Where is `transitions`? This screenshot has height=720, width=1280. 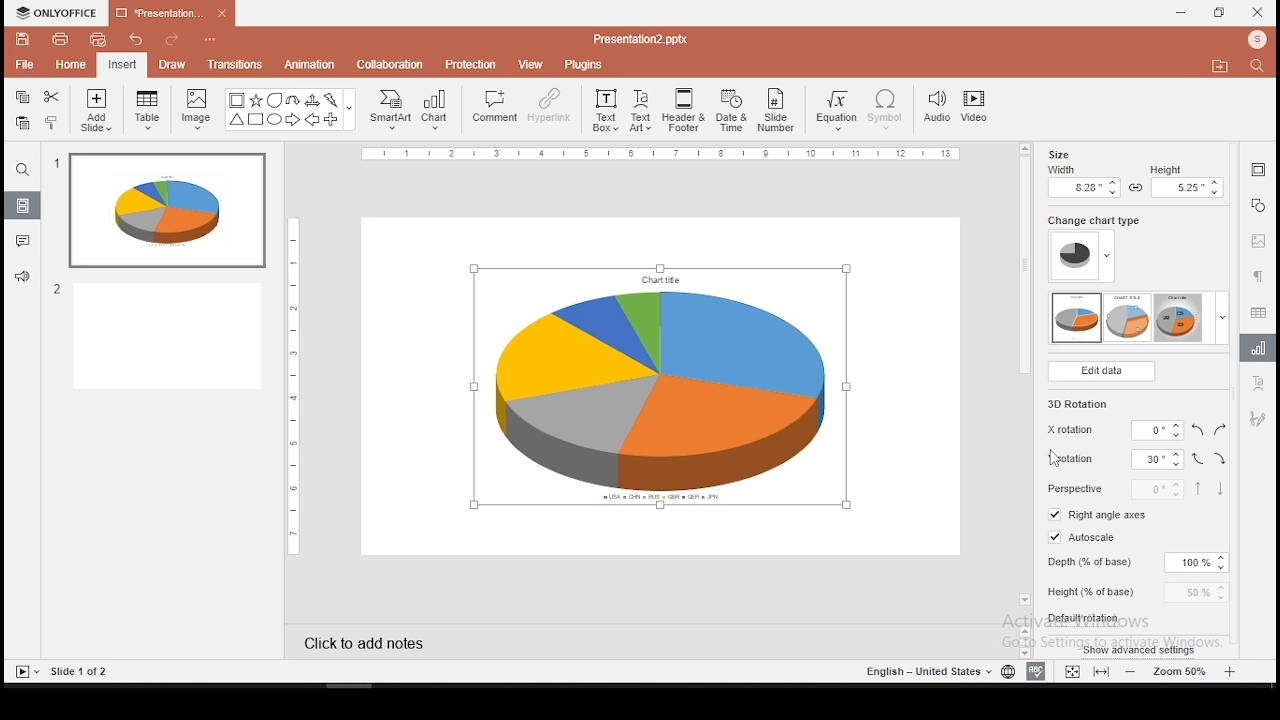 transitions is located at coordinates (235, 66).